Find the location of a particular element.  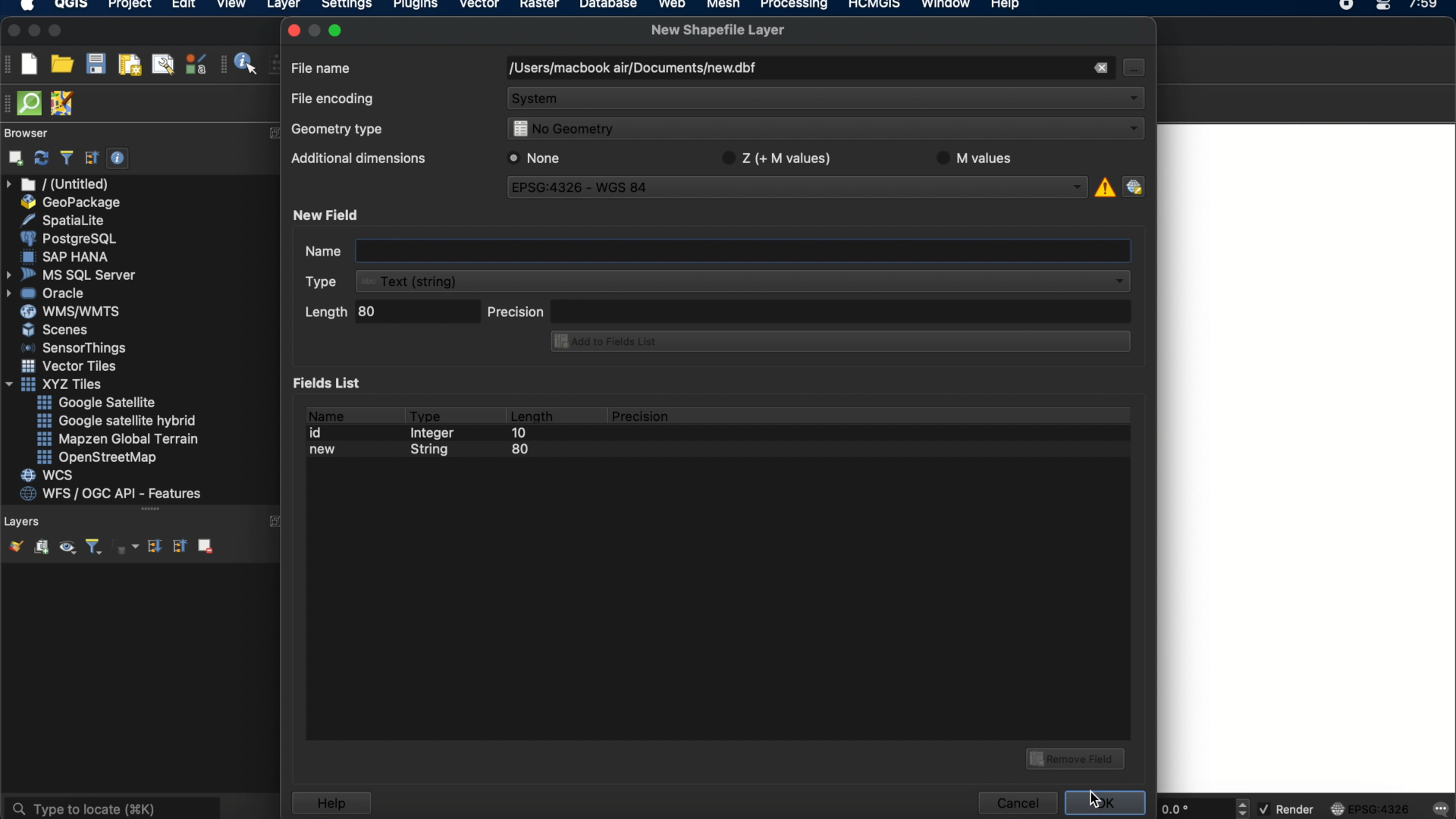

field name new is located at coordinates (742, 252).